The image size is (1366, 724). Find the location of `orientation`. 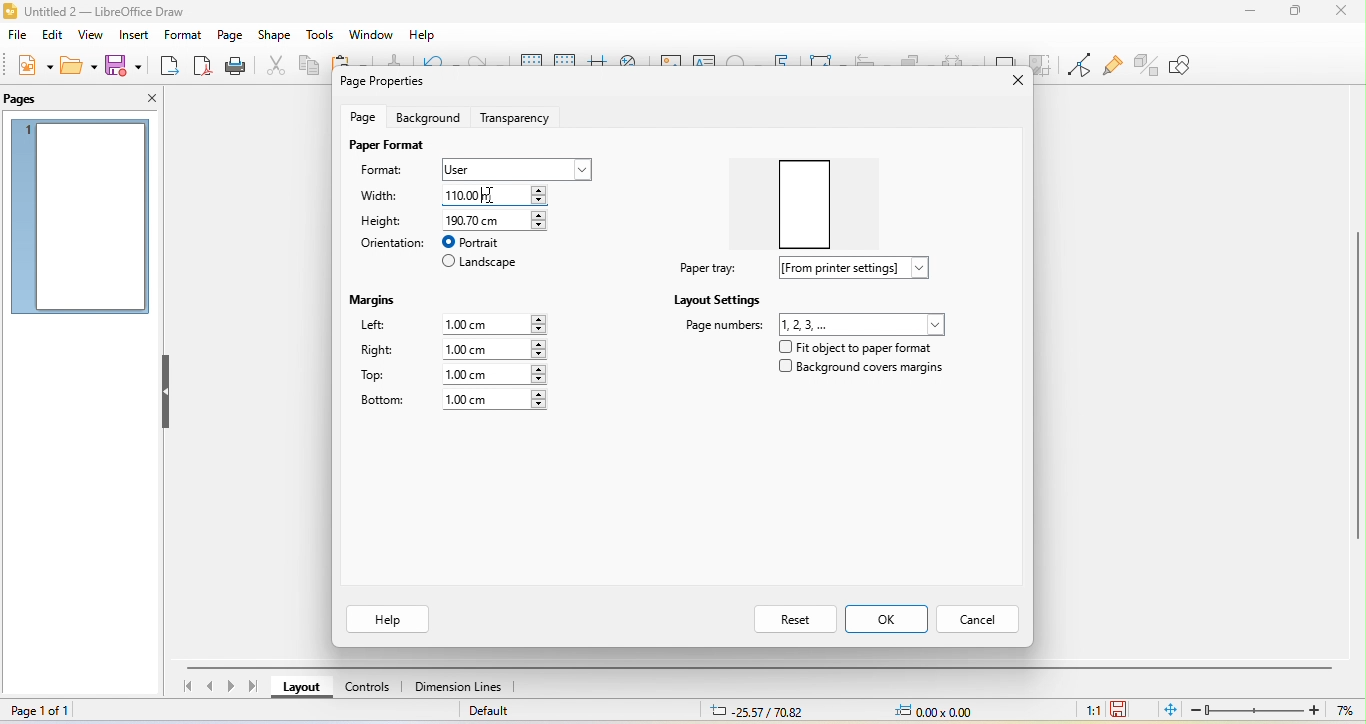

orientation is located at coordinates (390, 243).